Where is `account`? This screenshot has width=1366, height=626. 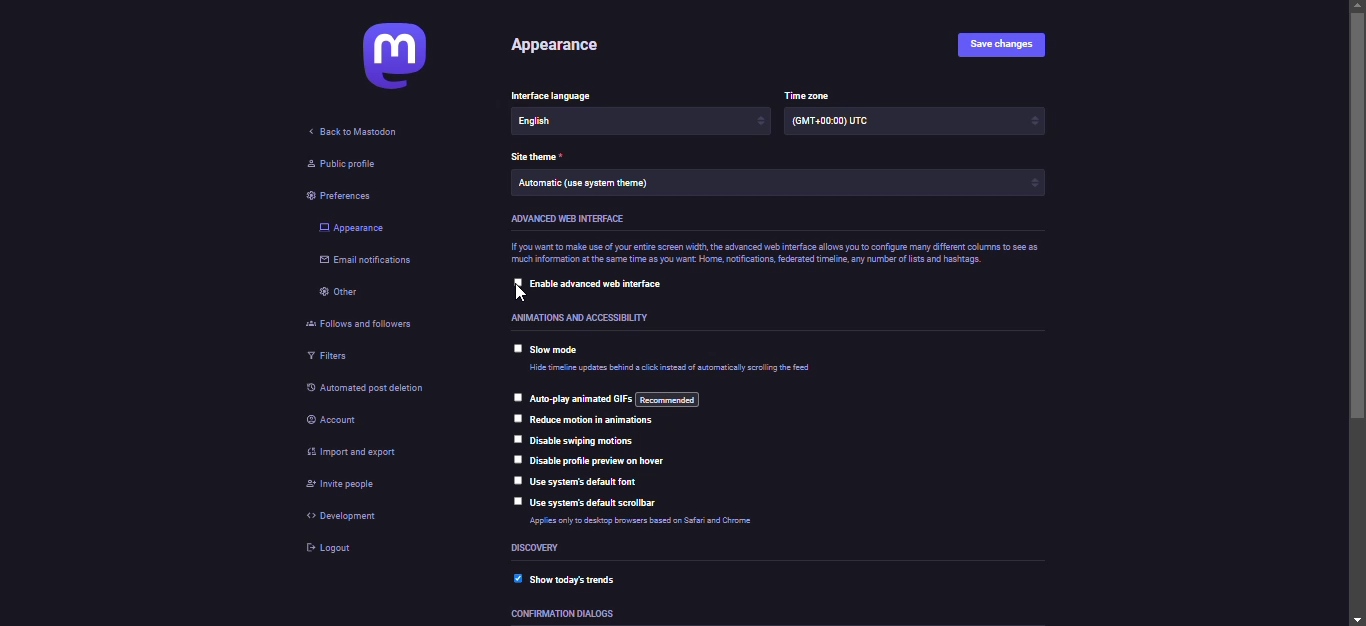
account is located at coordinates (331, 423).